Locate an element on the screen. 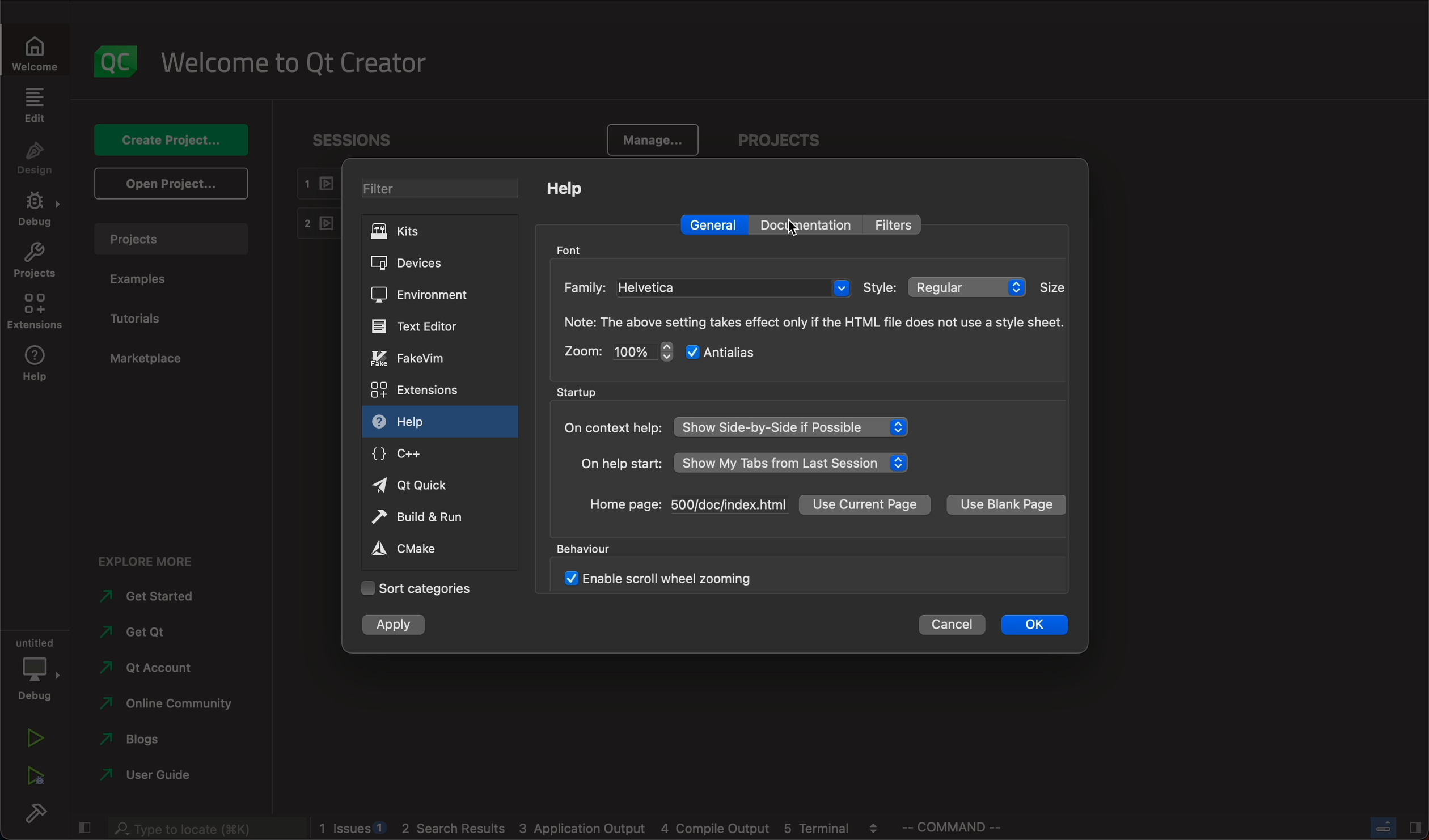  enable scroll is located at coordinates (665, 576).